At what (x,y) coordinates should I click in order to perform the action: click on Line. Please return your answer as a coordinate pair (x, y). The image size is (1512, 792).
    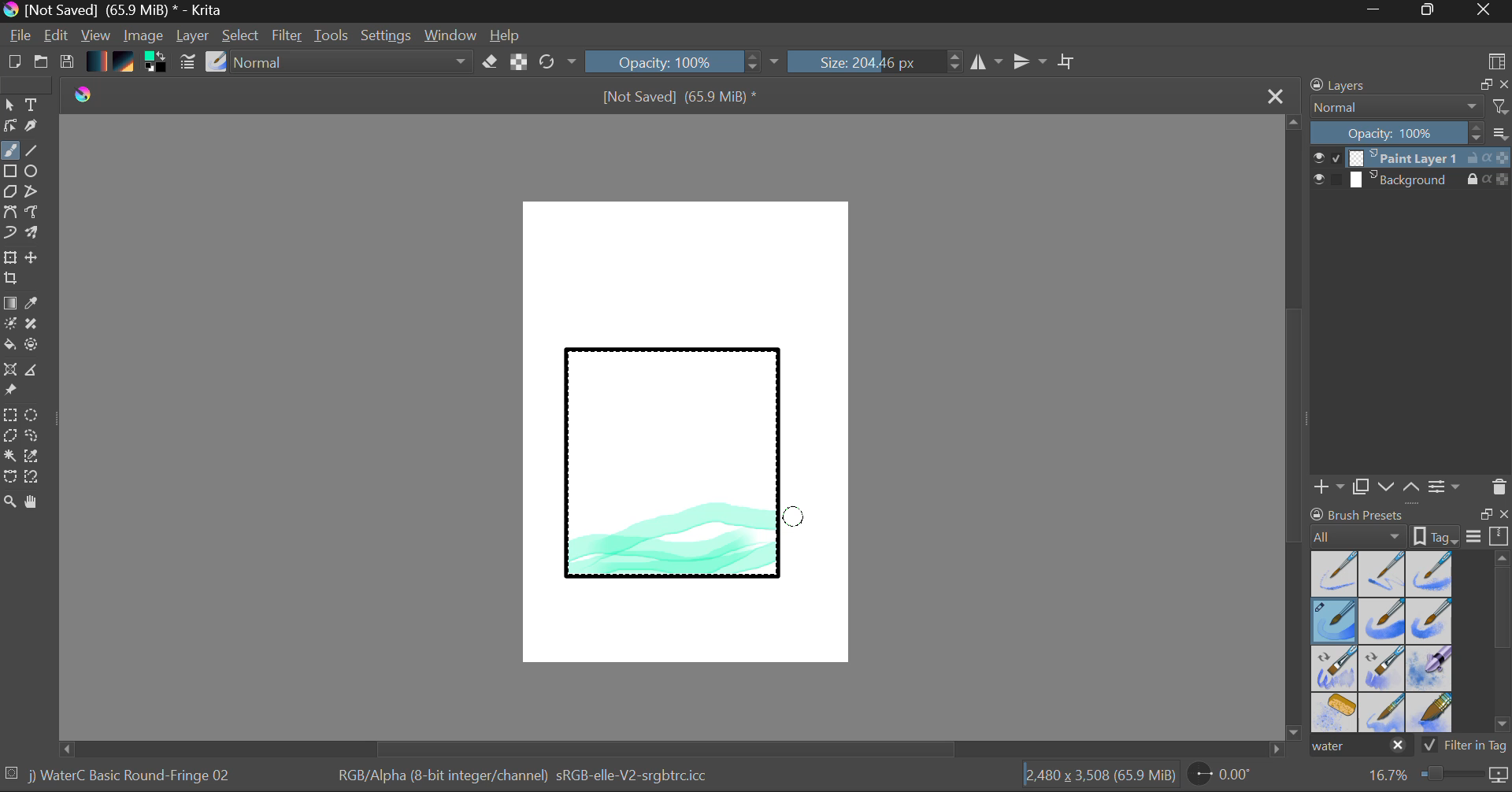
    Looking at the image, I should click on (32, 151).